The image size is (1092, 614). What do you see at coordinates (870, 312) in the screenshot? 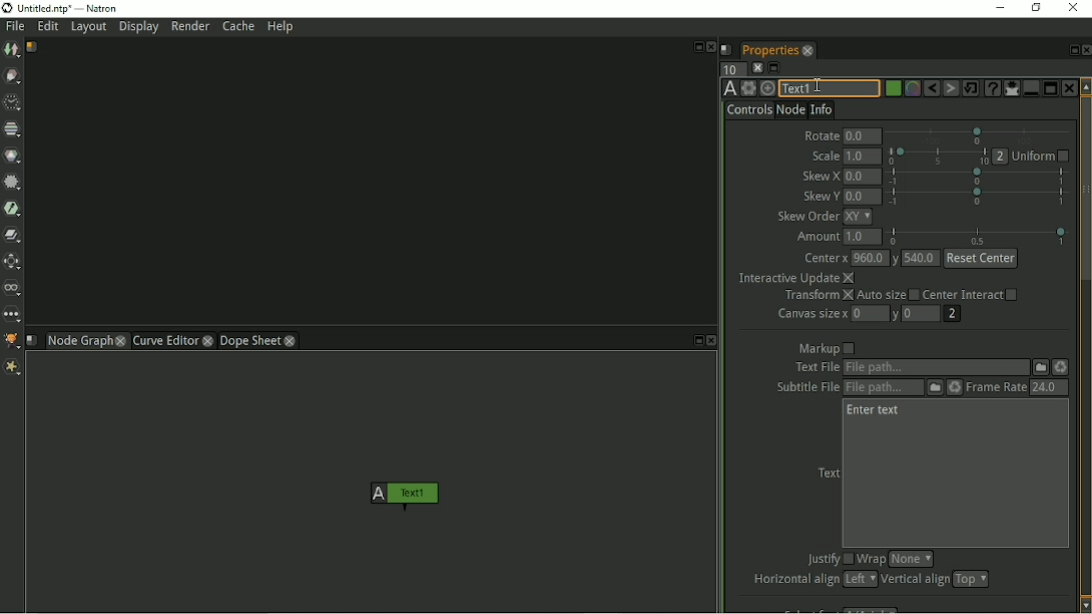
I see `0` at bounding box center [870, 312].